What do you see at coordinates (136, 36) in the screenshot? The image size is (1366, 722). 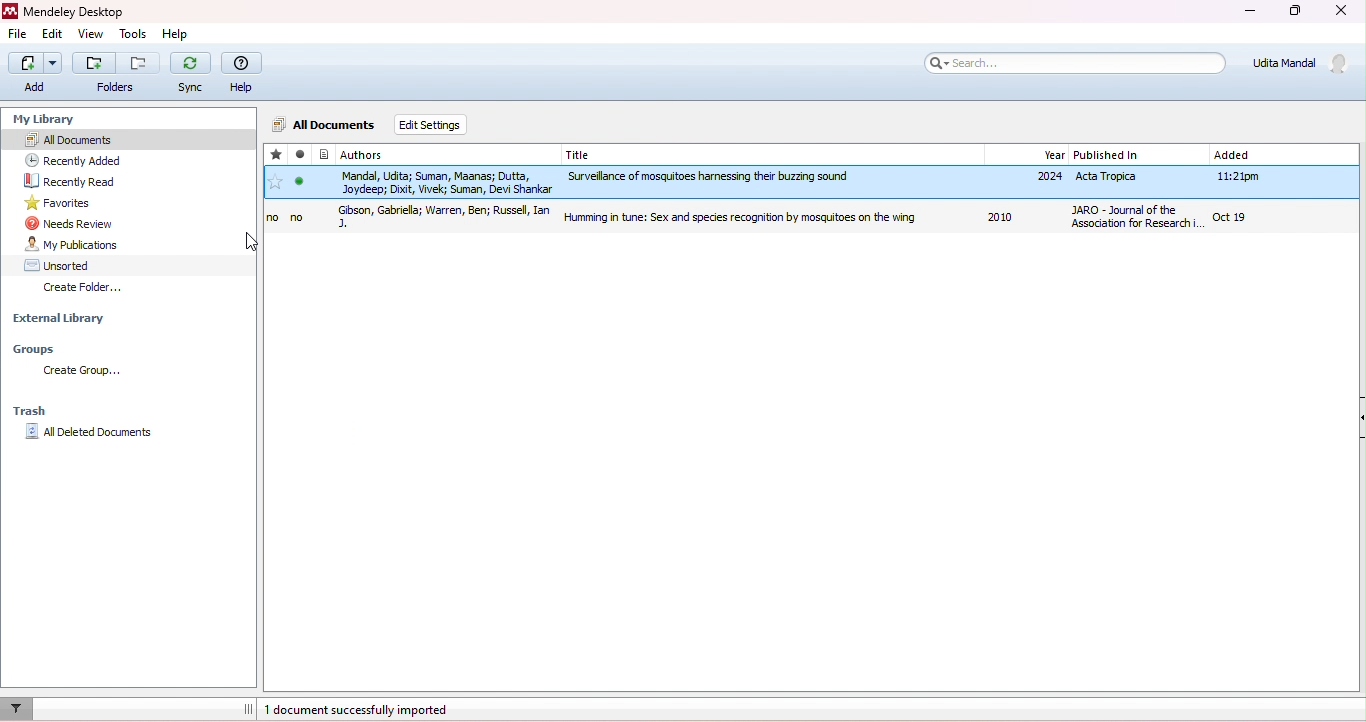 I see `tools` at bounding box center [136, 36].